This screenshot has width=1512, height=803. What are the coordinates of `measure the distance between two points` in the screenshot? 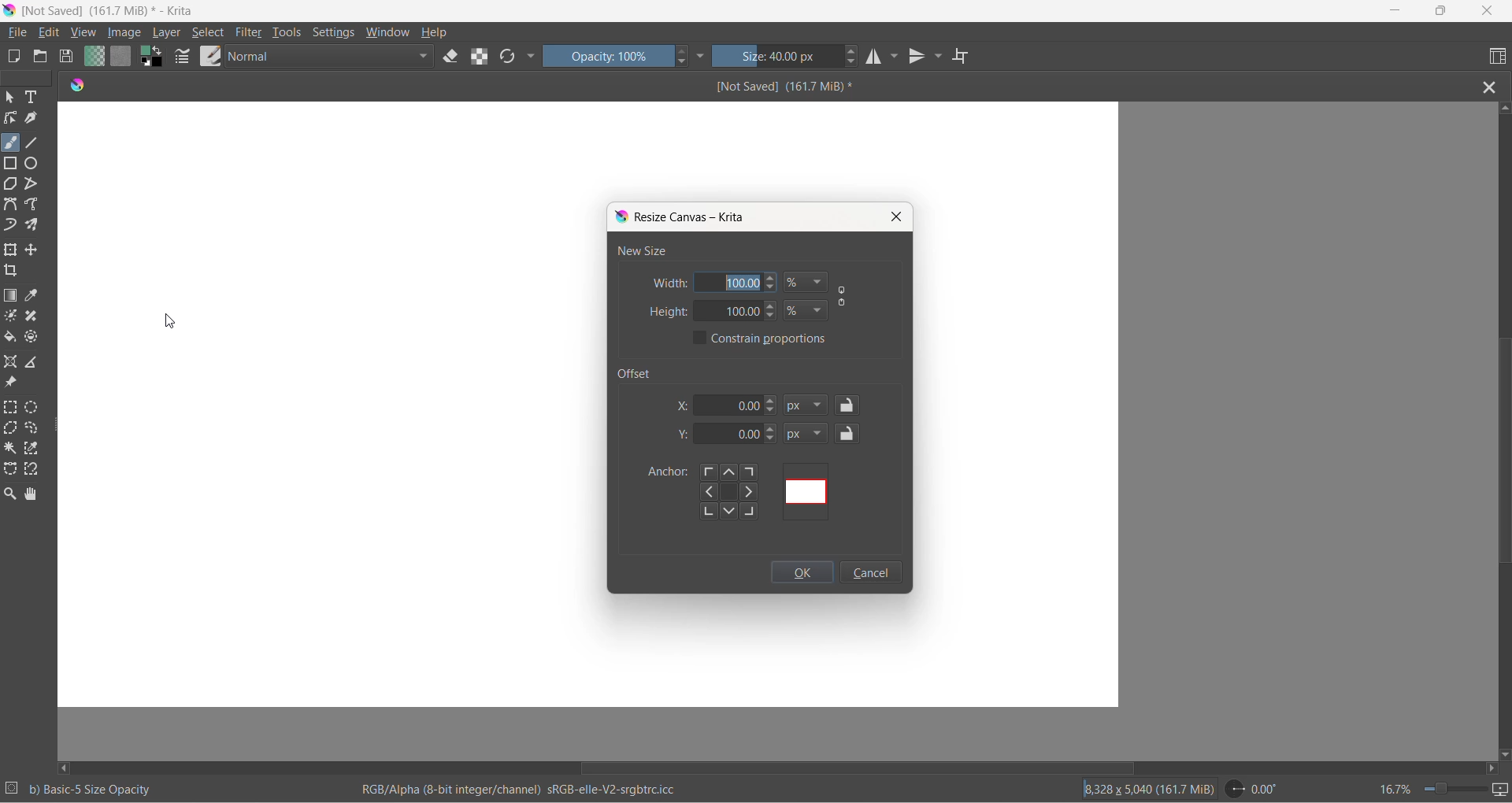 It's located at (36, 363).